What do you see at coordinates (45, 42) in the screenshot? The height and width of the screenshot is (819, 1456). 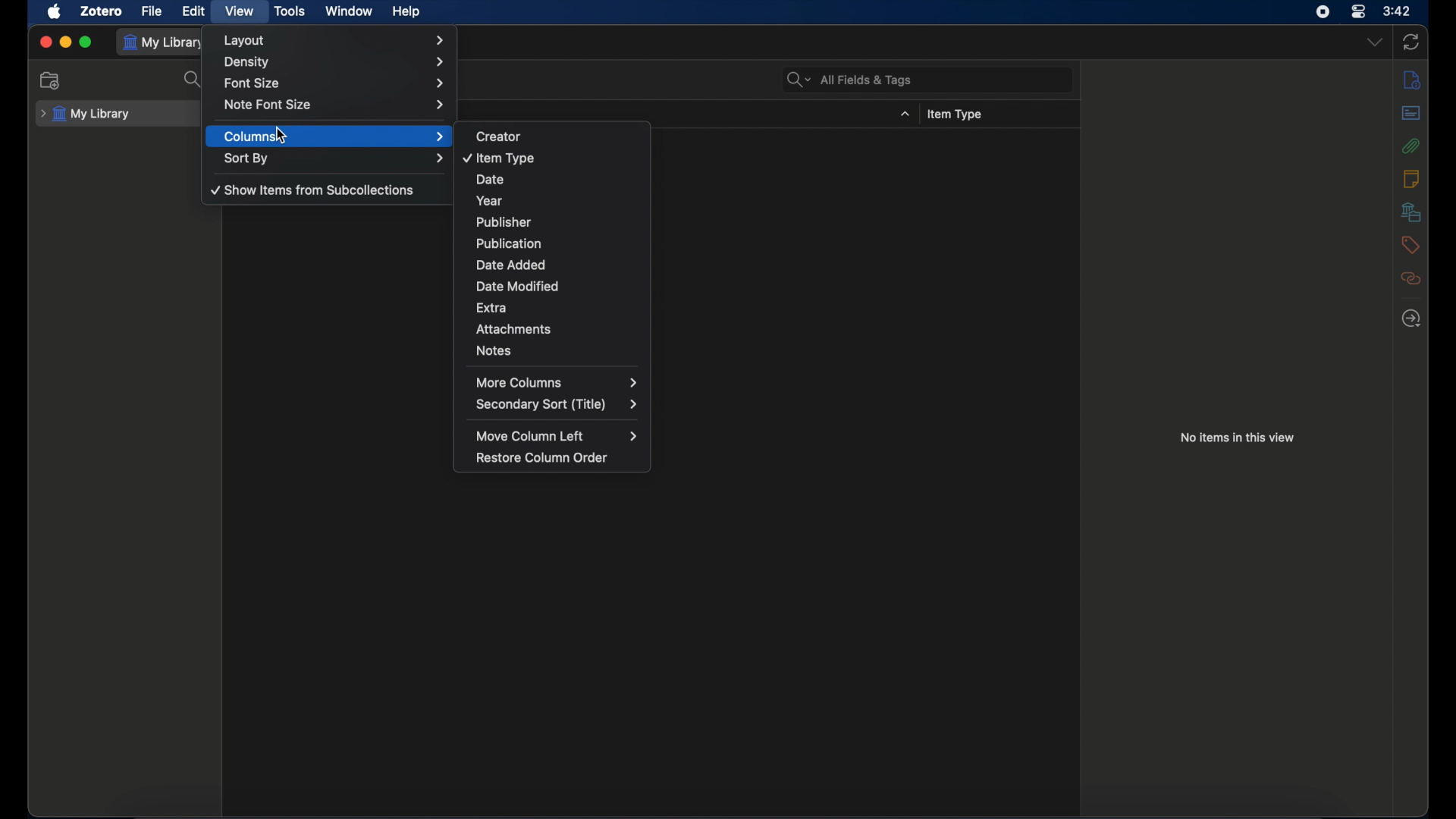 I see `close` at bounding box center [45, 42].